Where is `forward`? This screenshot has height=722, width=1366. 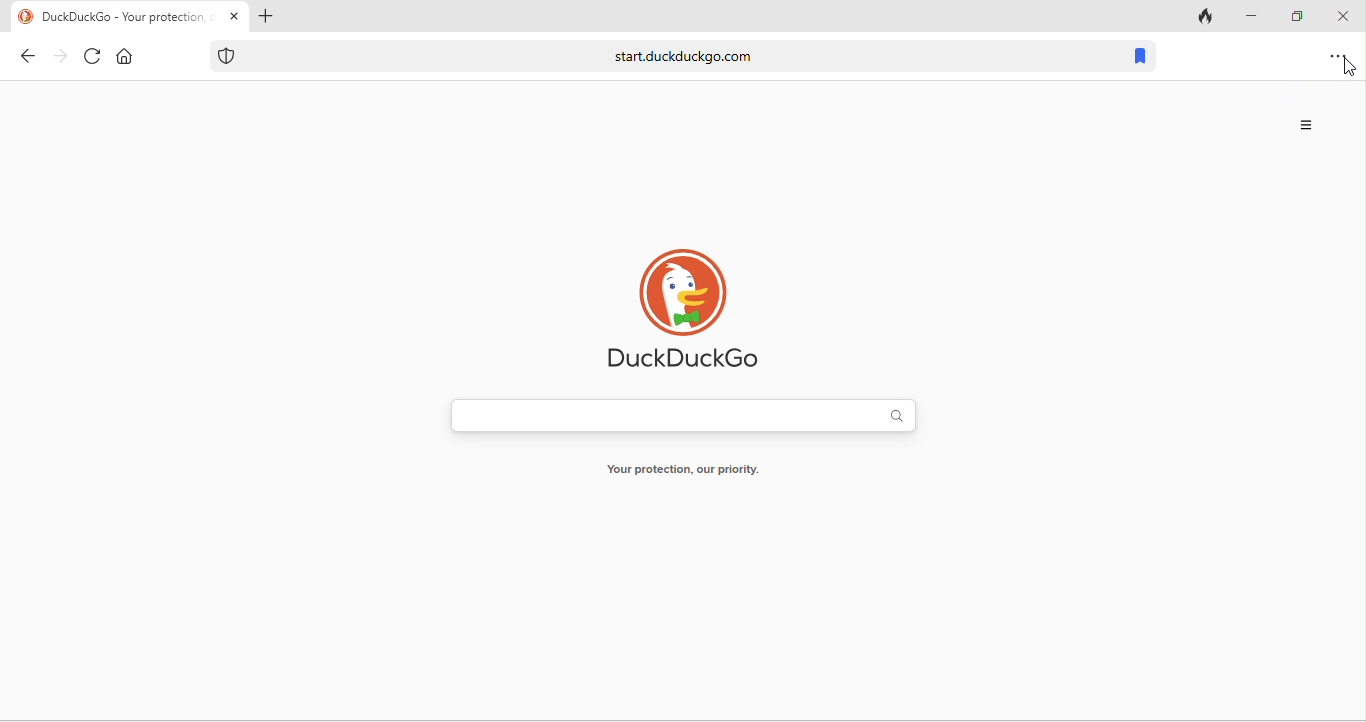 forward is located at coordinates (59, 58).